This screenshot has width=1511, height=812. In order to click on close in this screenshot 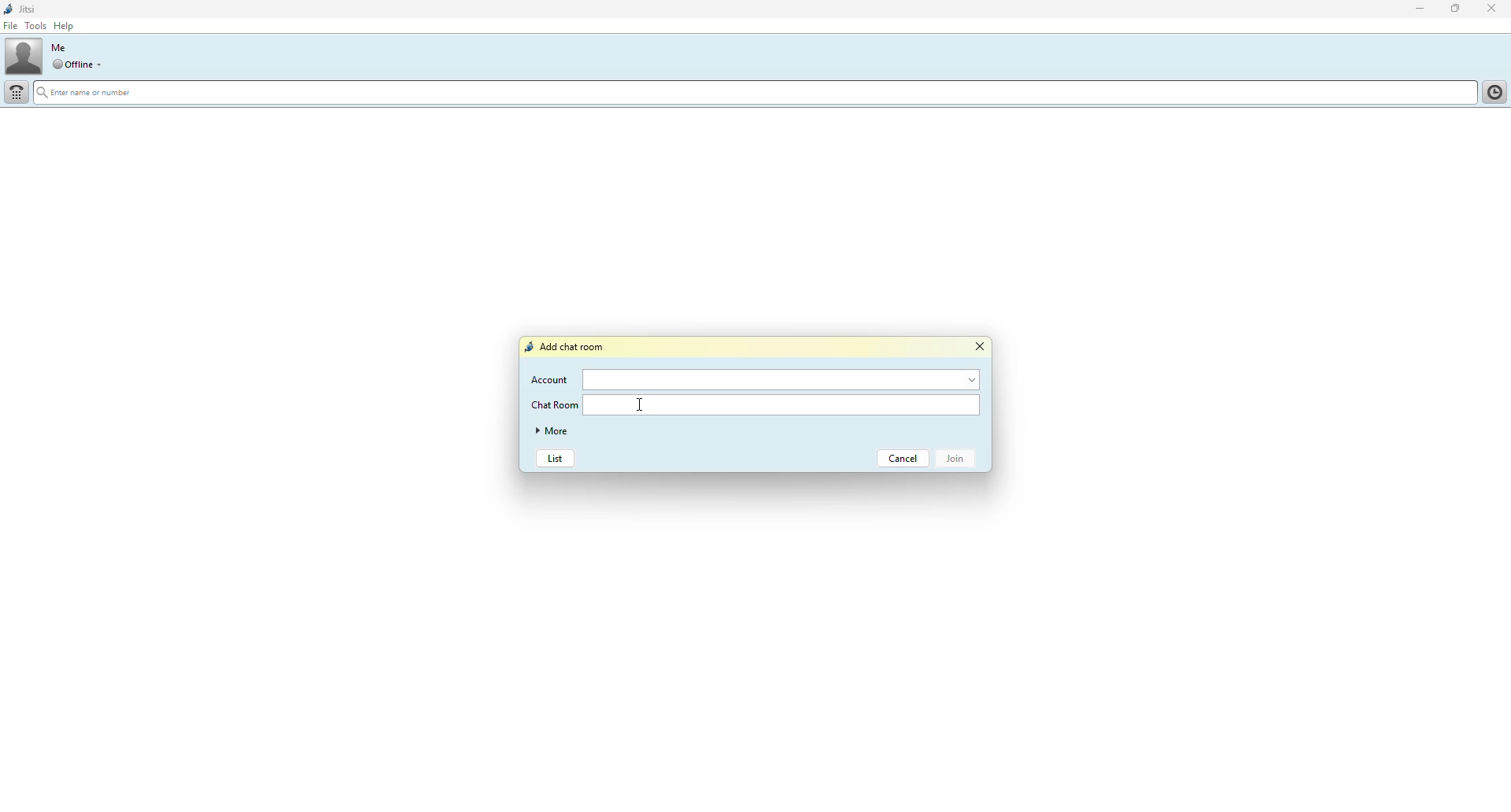, I will do `click(979, 347)`.